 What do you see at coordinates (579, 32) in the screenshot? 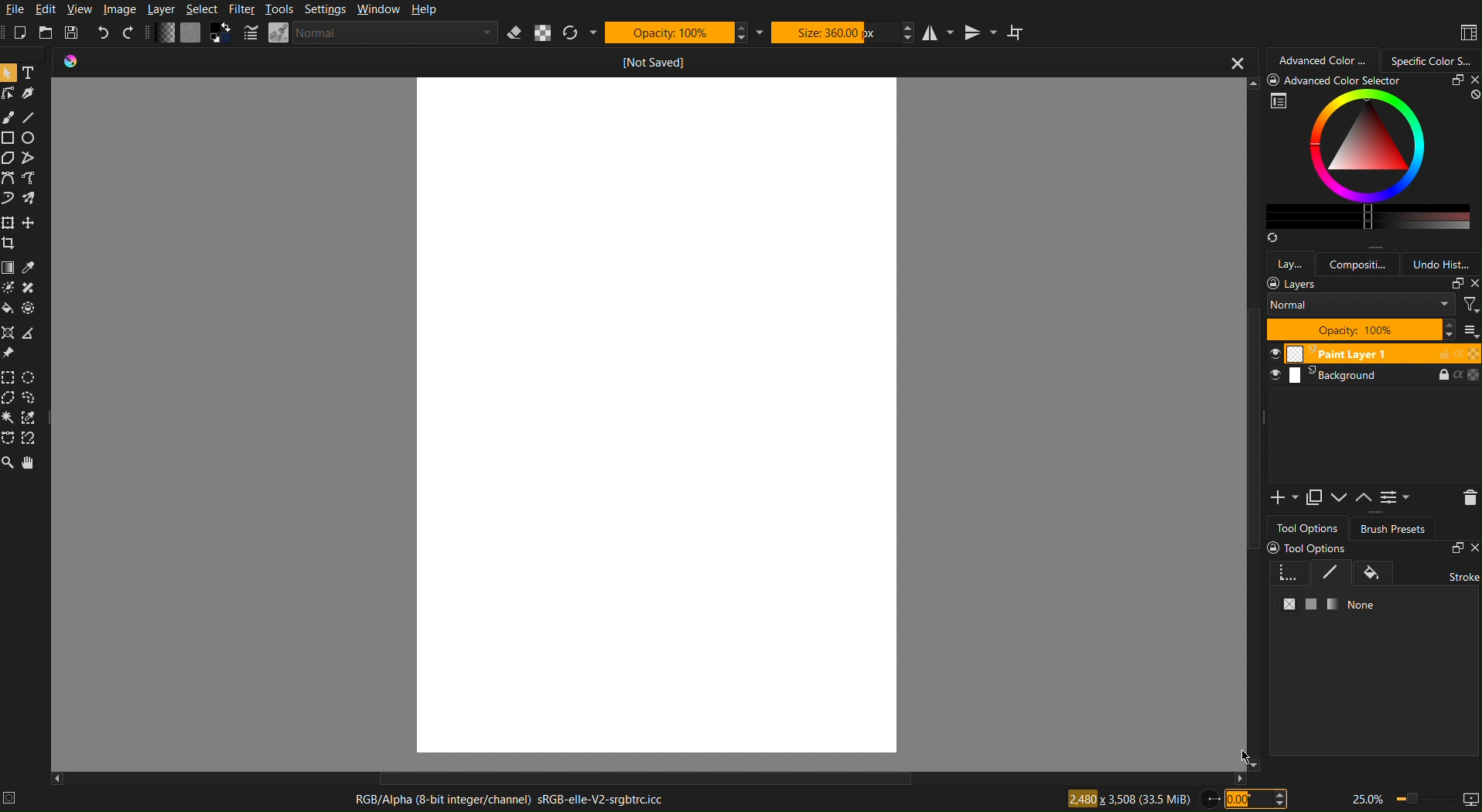
I see `Refresh` at bounding box center [579, 32].